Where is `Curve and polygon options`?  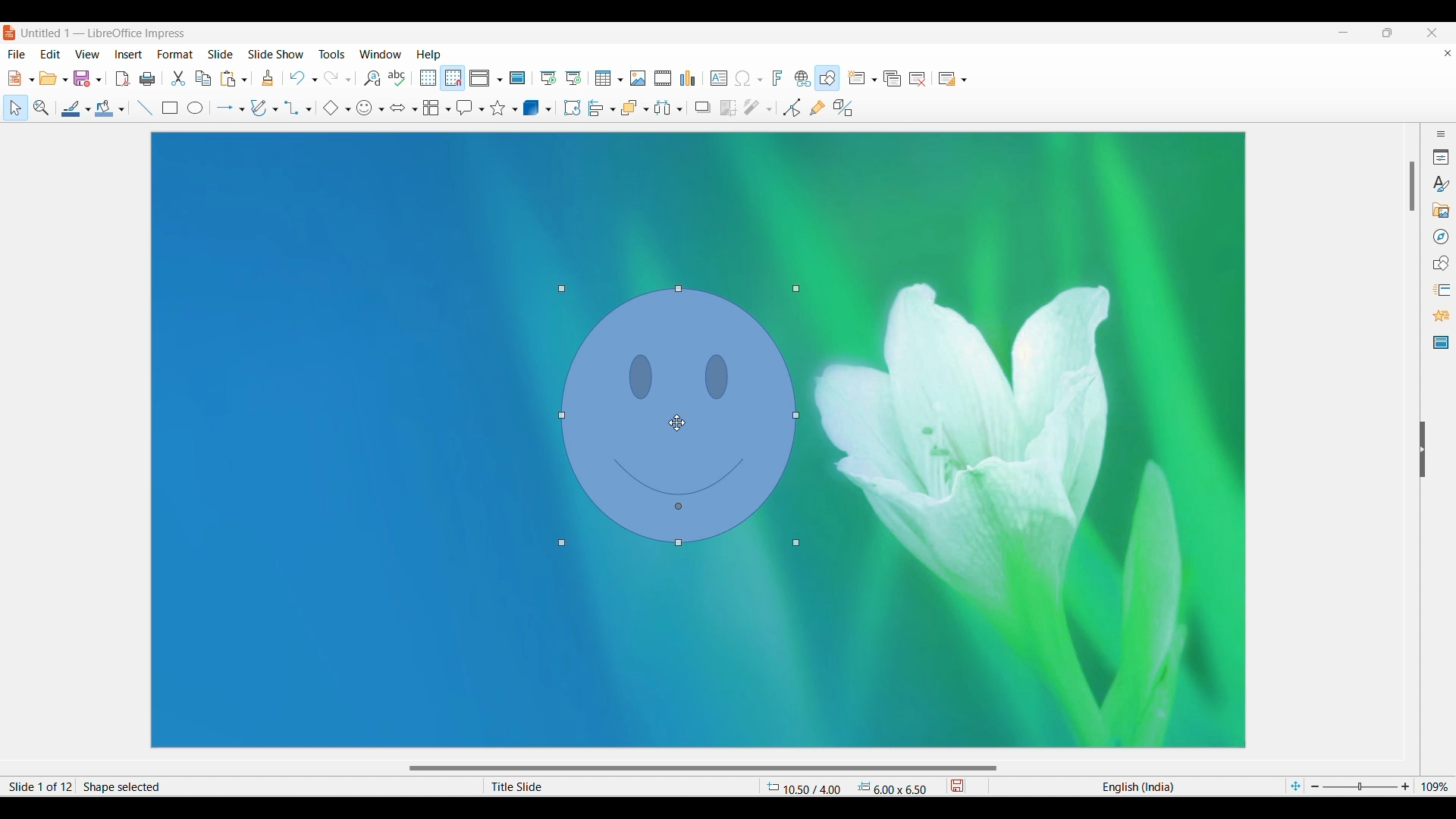 Curve and polygon options is located at coordinates (275, 109).